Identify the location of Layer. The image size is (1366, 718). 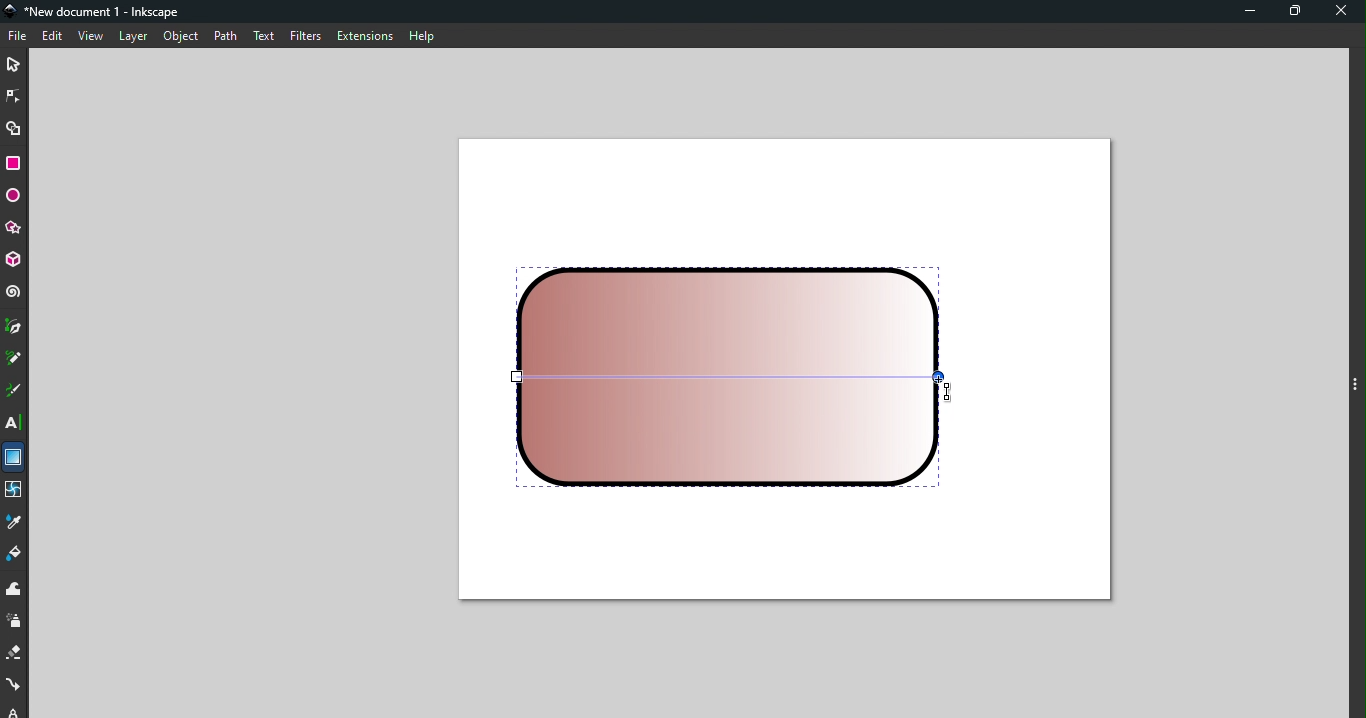
(133, 37).